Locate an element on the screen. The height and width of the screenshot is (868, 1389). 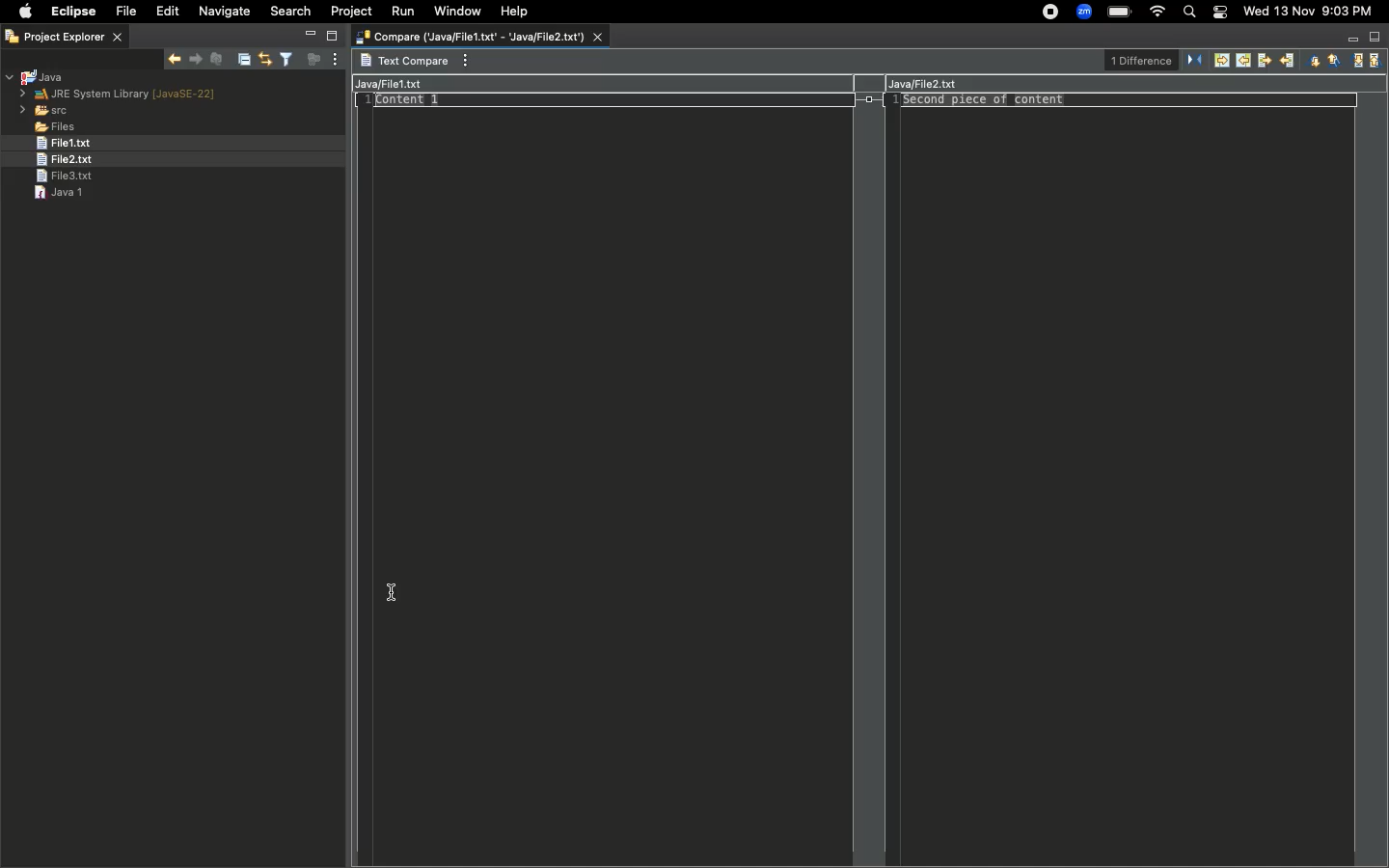
Run is located at coordinates (401, 12).